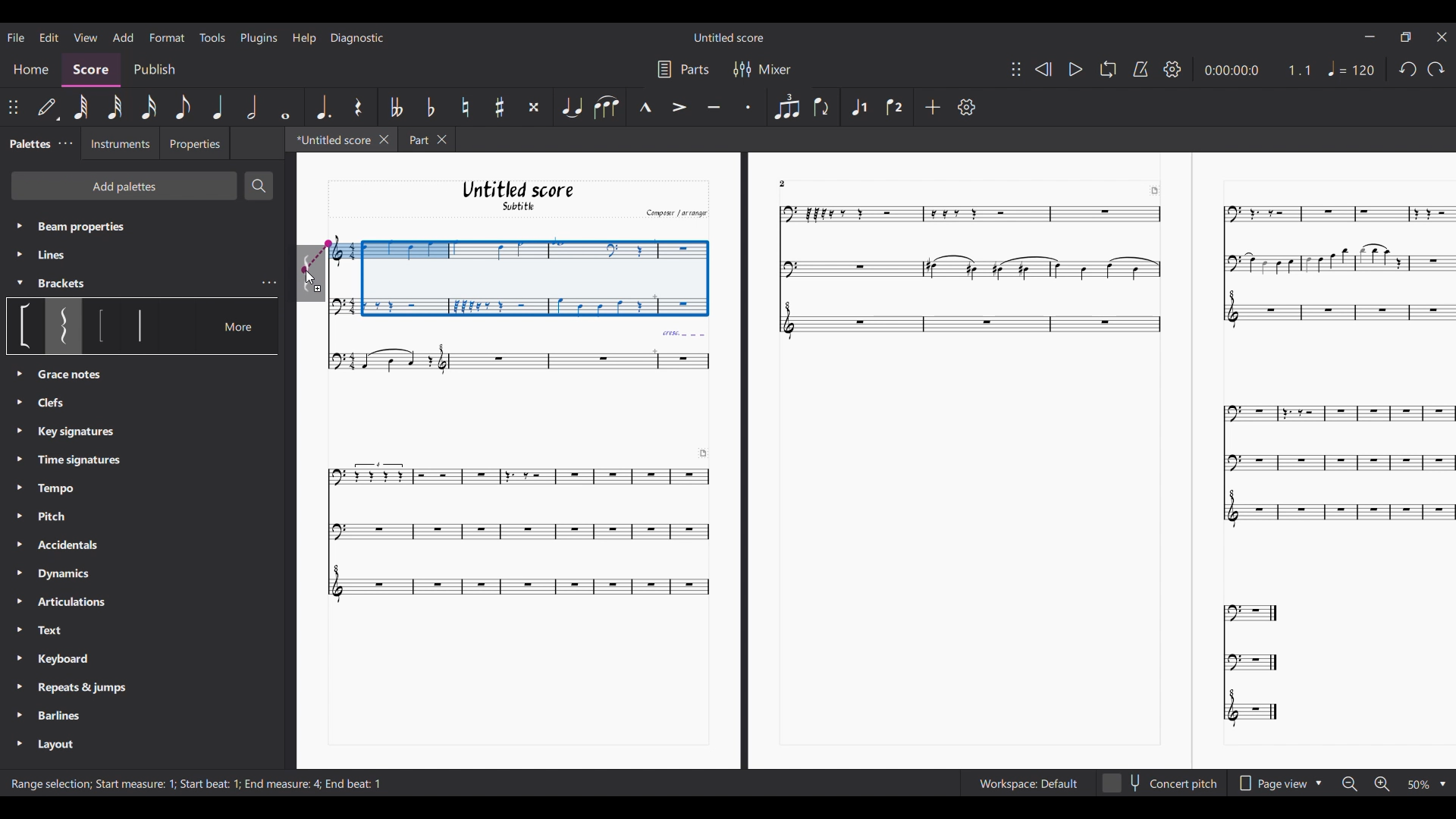  Describe the element at coordinates (27, 326) in the screenshot. I see `Option under bracket section` at that location.